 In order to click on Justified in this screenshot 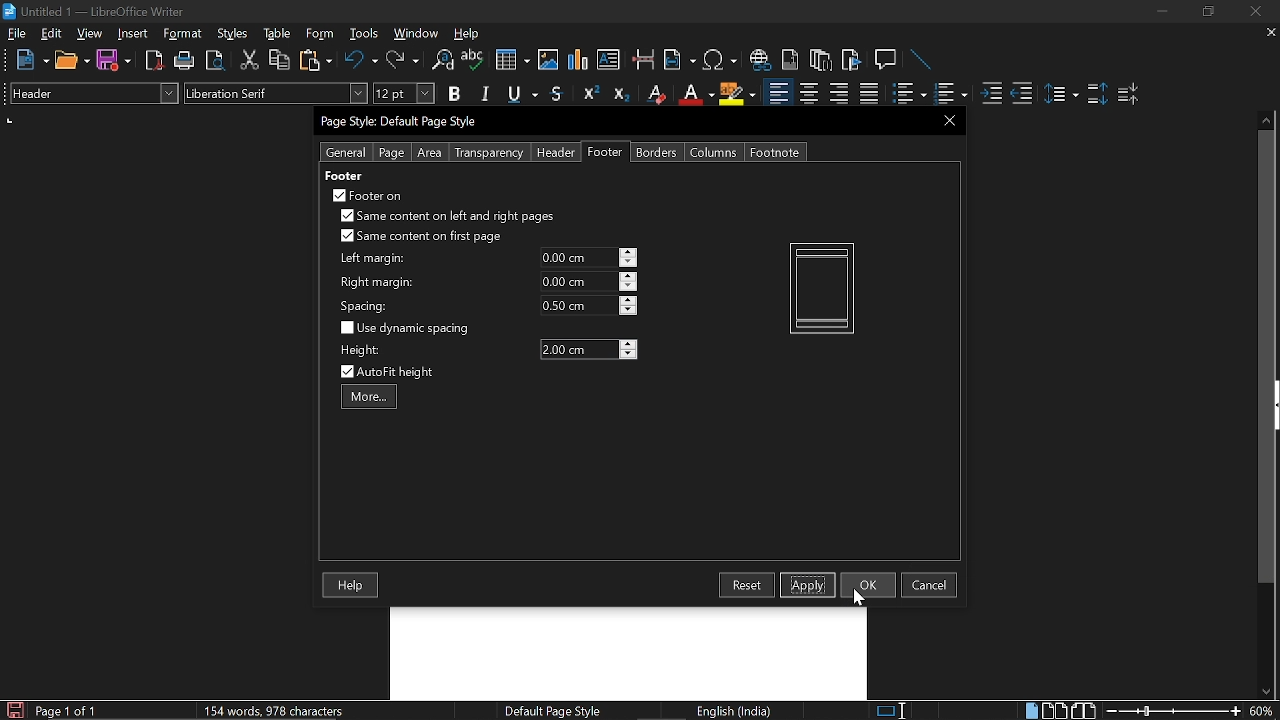, I will do `click(870, 94)`.